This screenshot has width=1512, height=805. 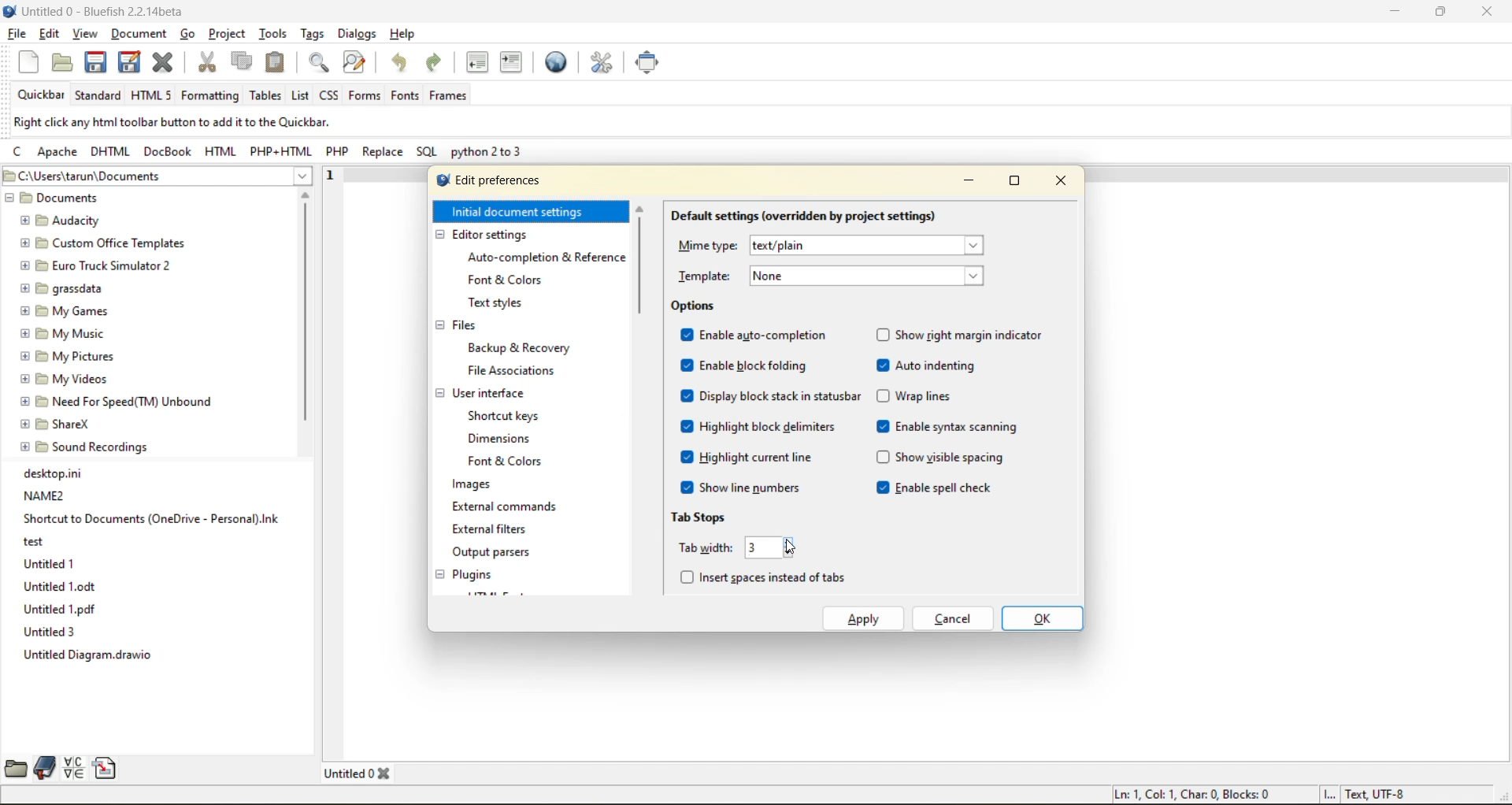 I want to click on display  block stack in statusbar, so click(x=773, y=396).